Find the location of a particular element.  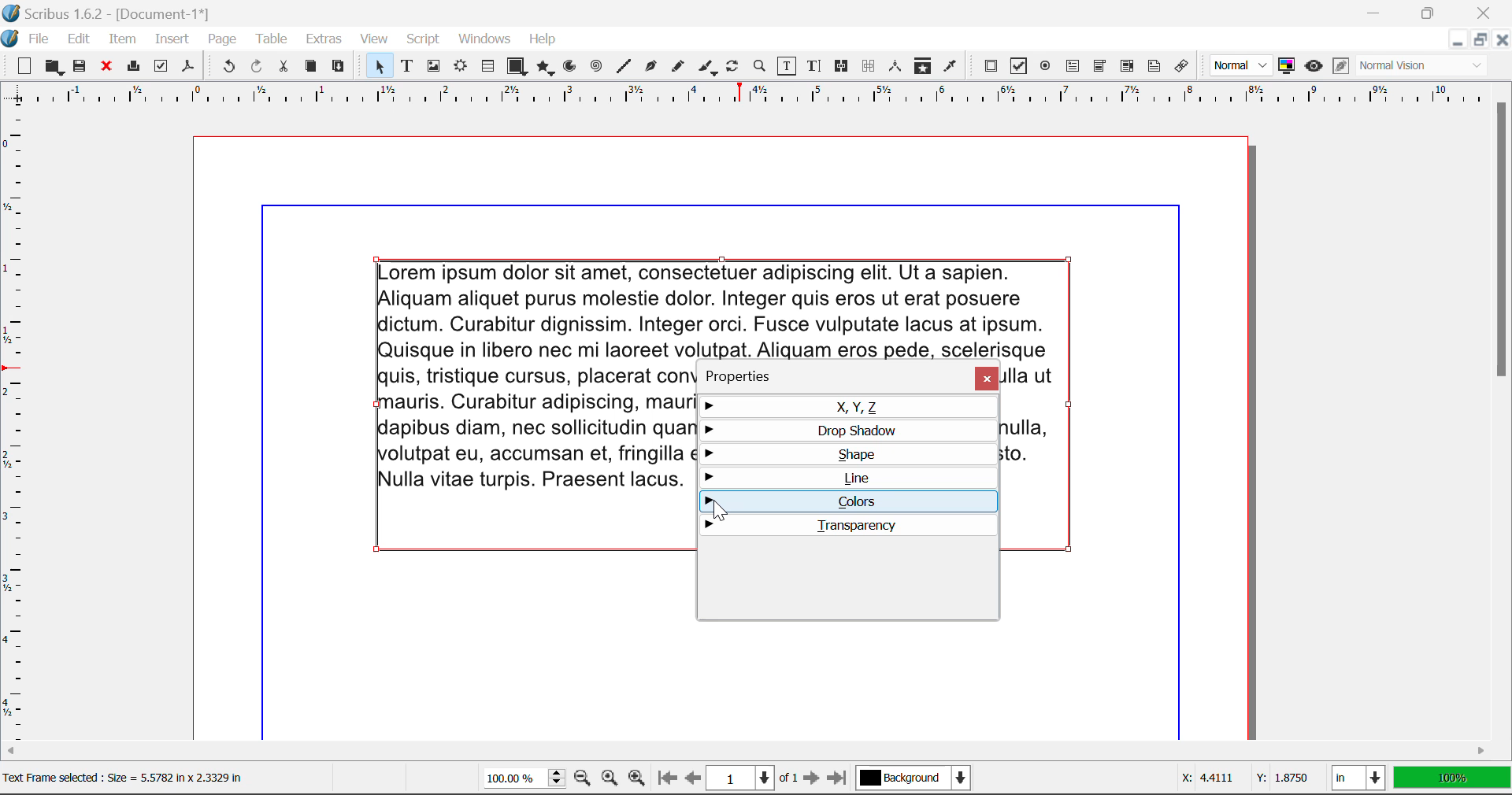

X, Y, Z is located at coordinates (844, 407).